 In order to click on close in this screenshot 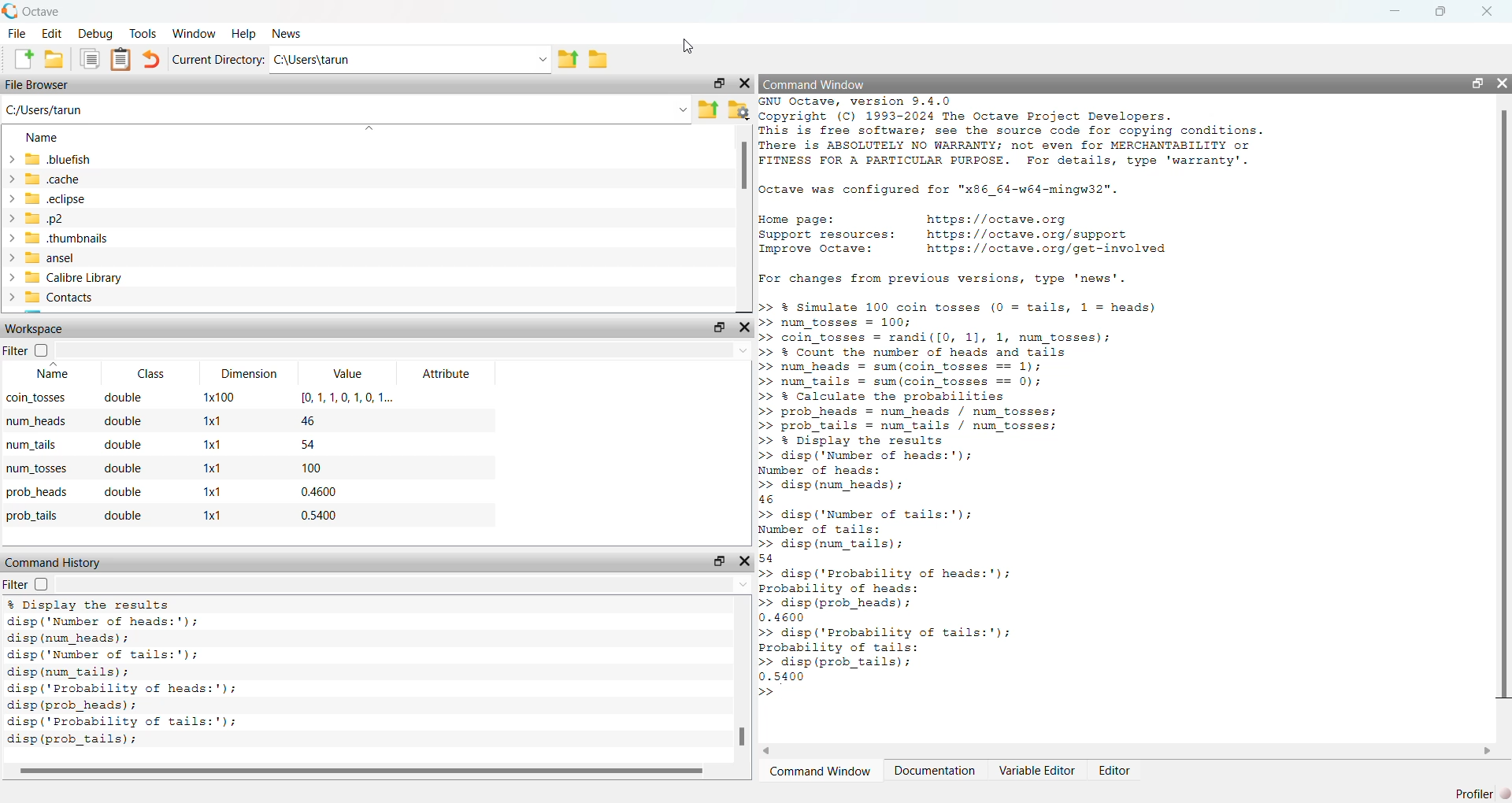, I will do `click(746, 83)`.